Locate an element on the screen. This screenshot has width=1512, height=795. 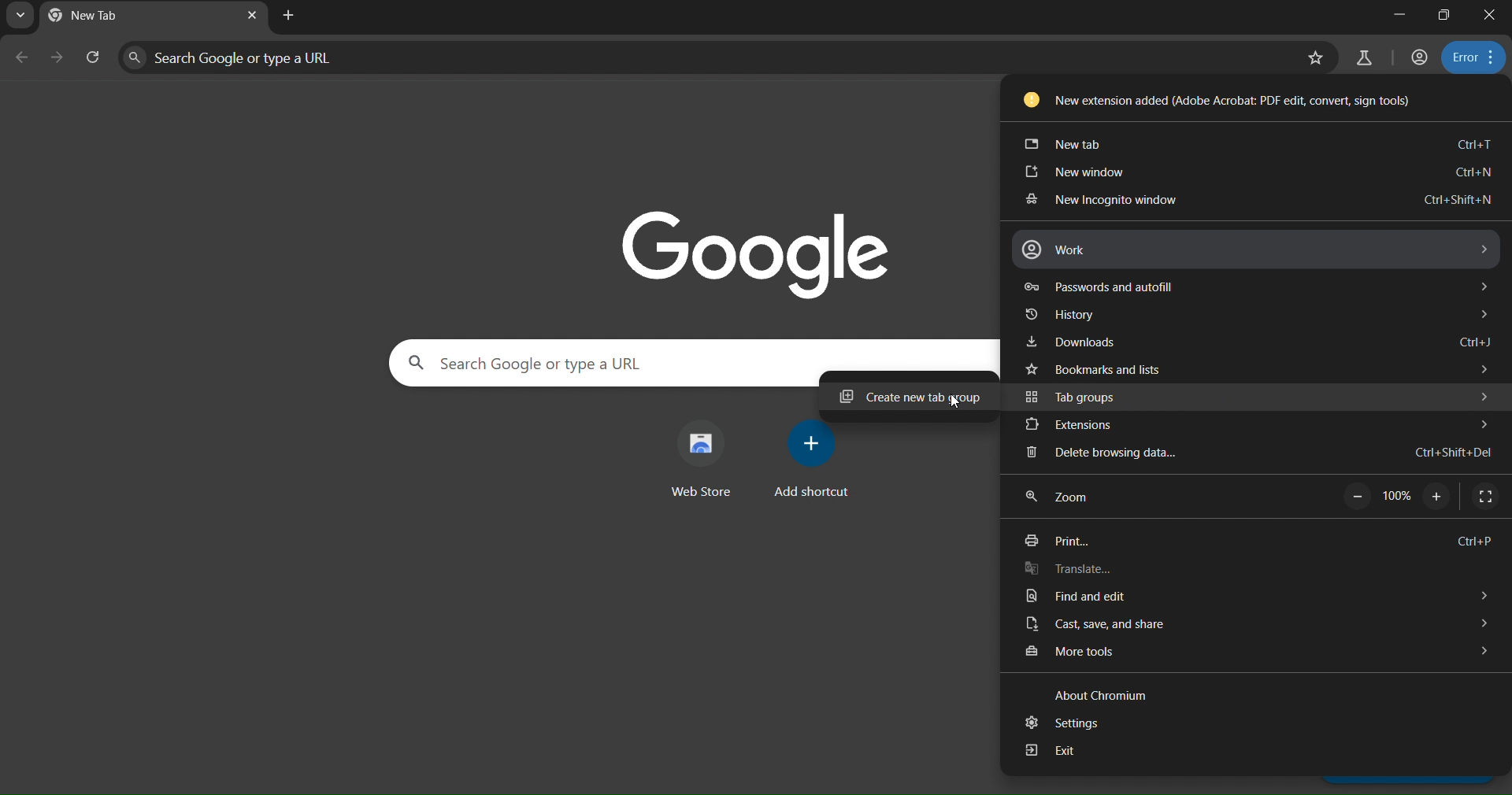
delete browsing data is located at coordinates (1253, 454).